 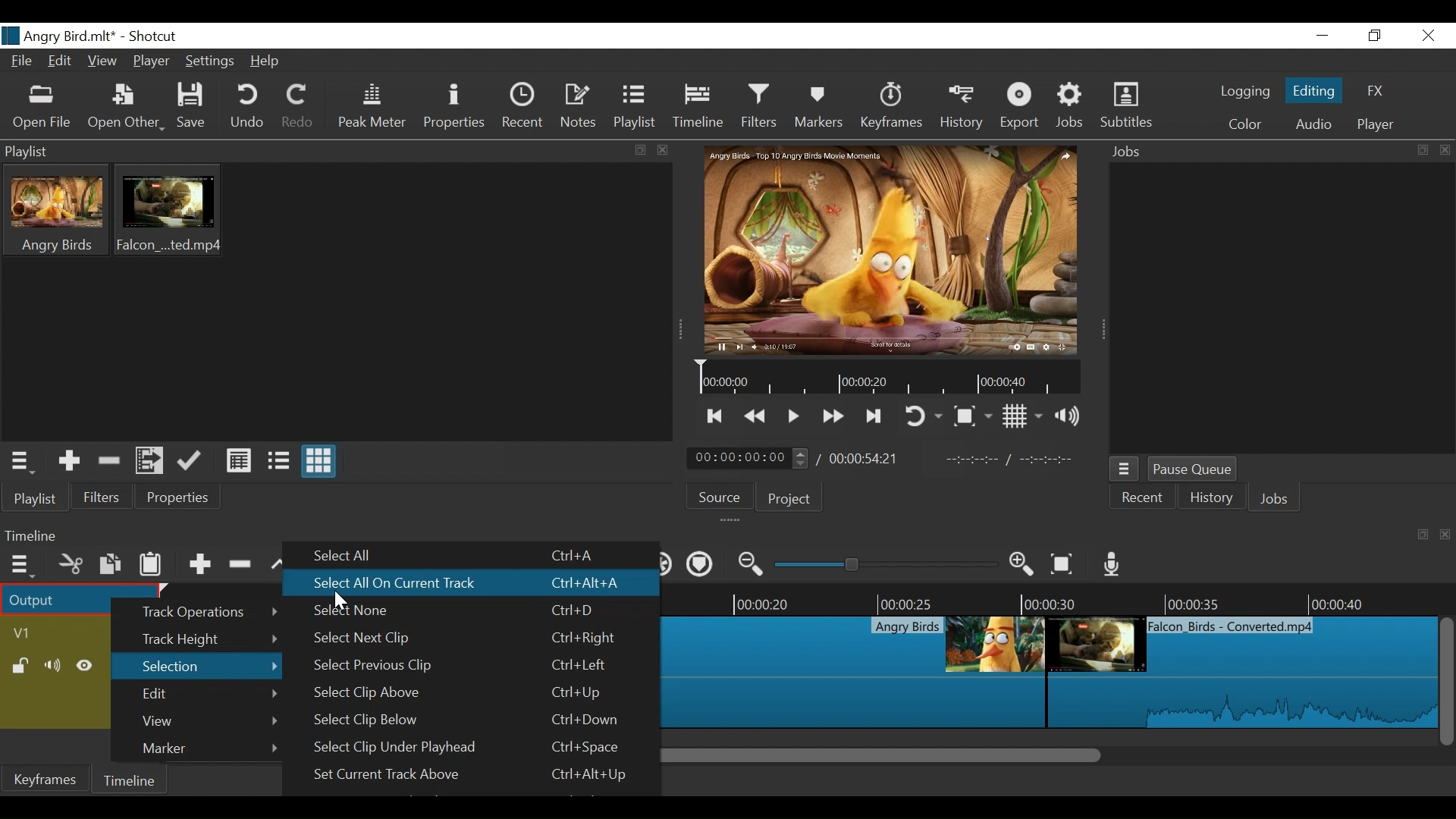 I want to click on Undo, so click(x=249, y=108).